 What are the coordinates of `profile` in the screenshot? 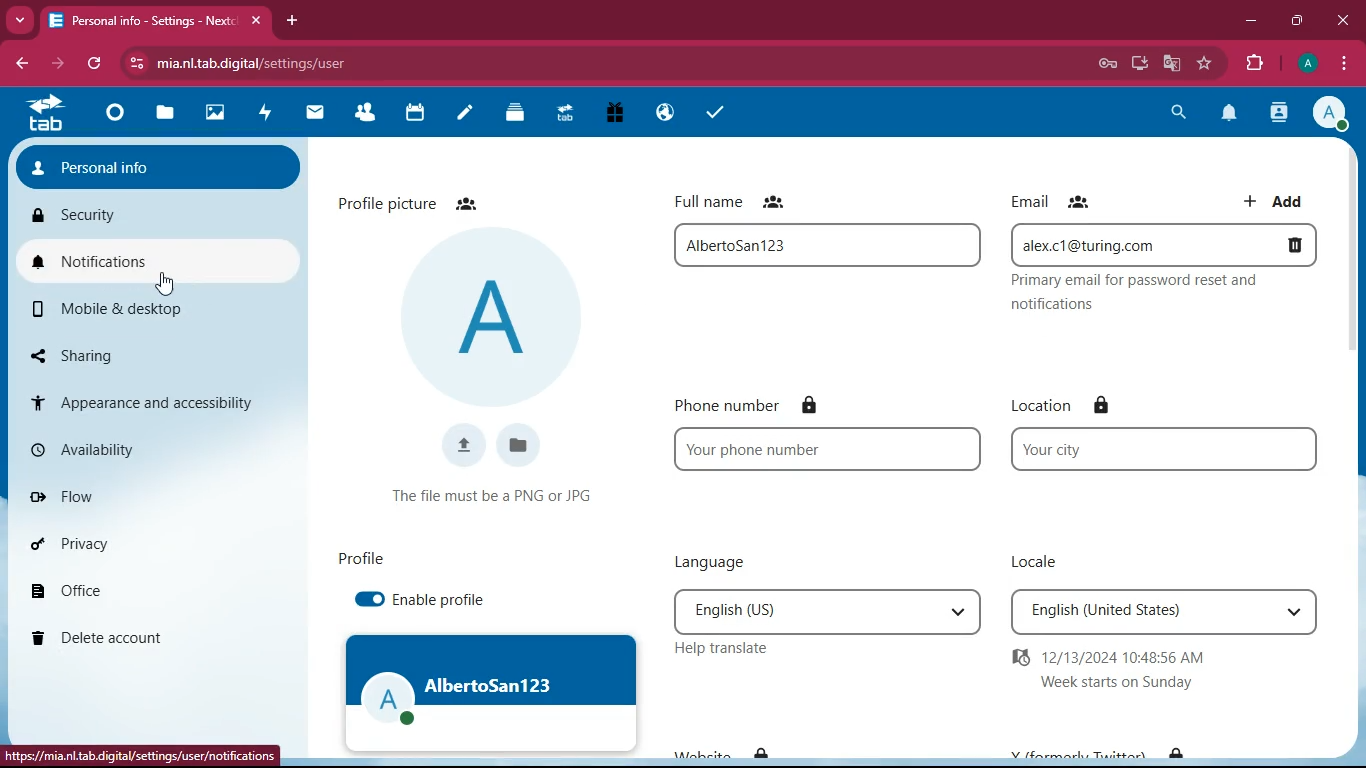 It's located at (363, 561).